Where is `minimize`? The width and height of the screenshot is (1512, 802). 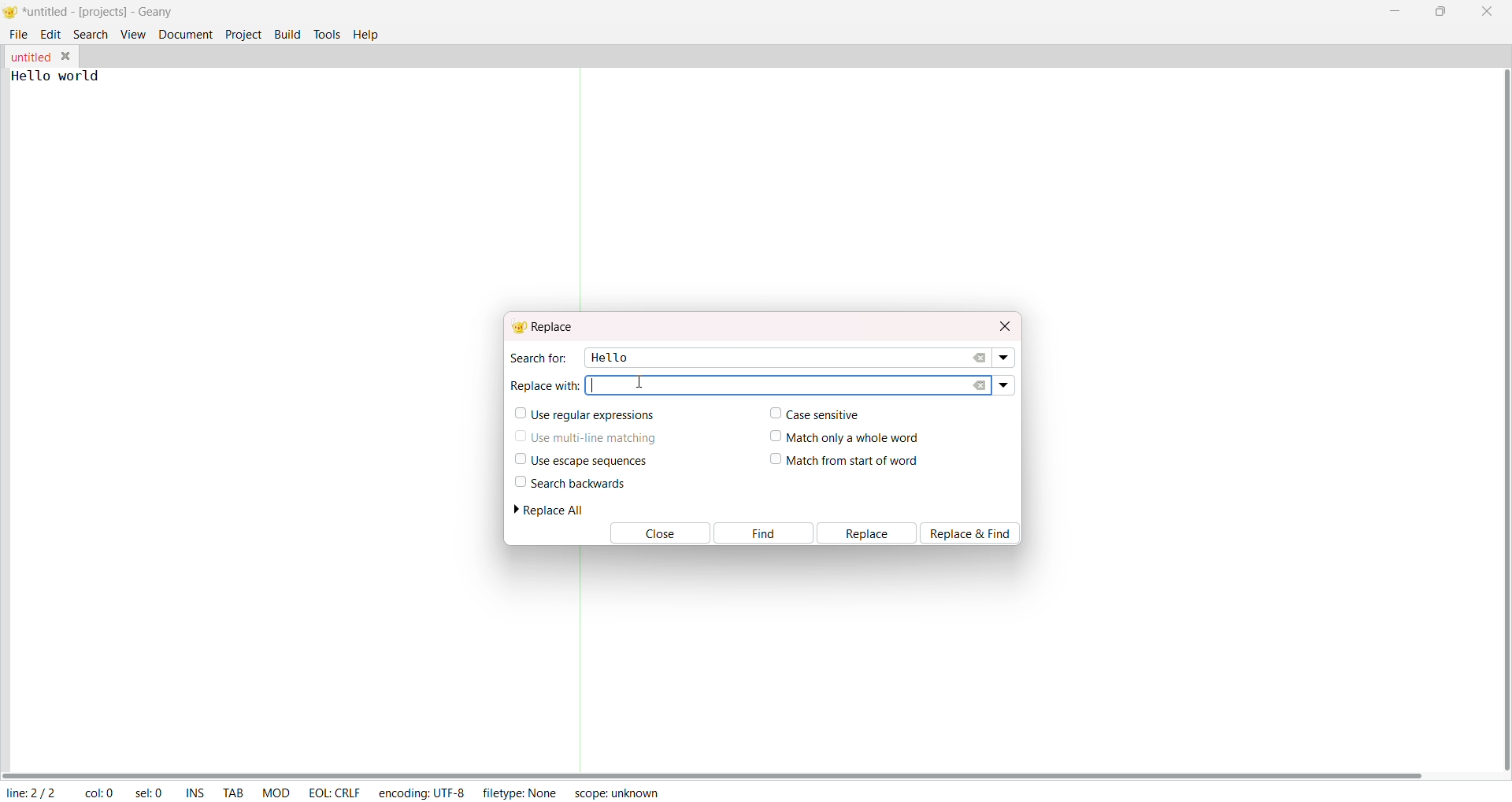
minimize is located at coordinates (1399, 9).